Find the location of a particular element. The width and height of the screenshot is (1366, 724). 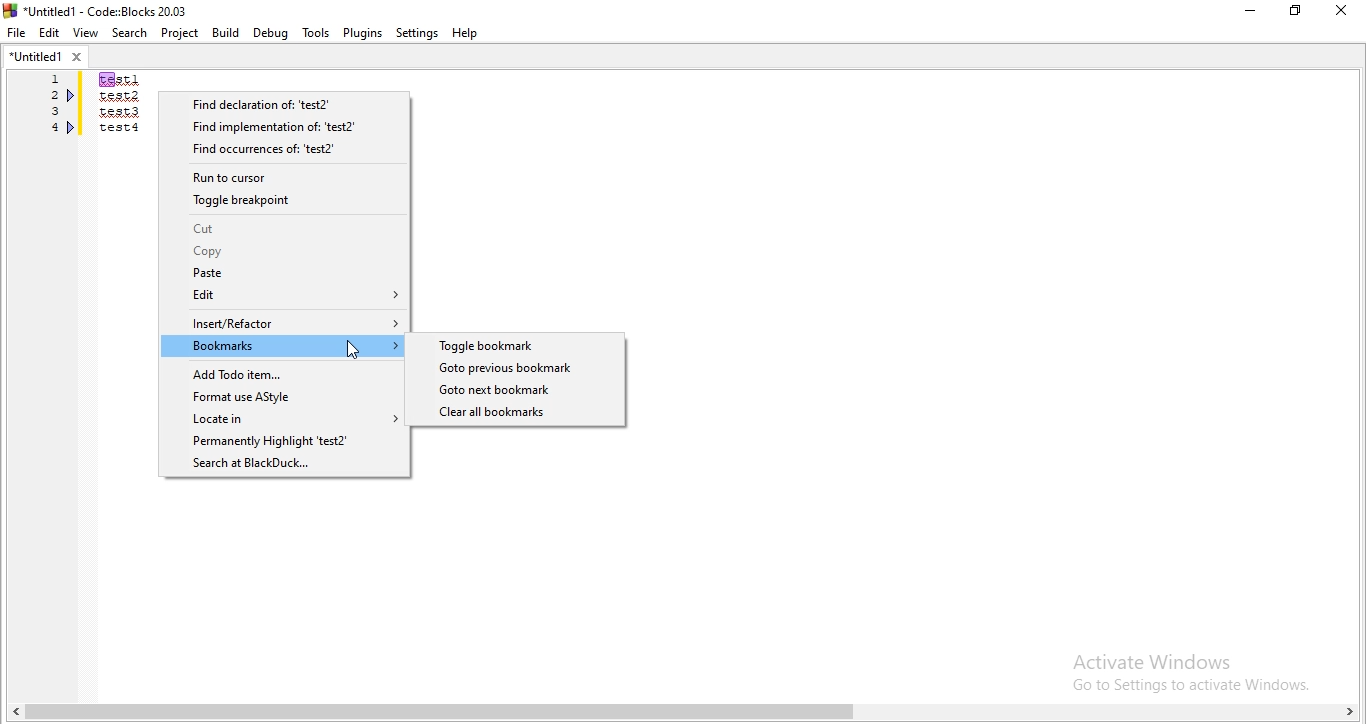

Paste is located at coordinates (283, 273).